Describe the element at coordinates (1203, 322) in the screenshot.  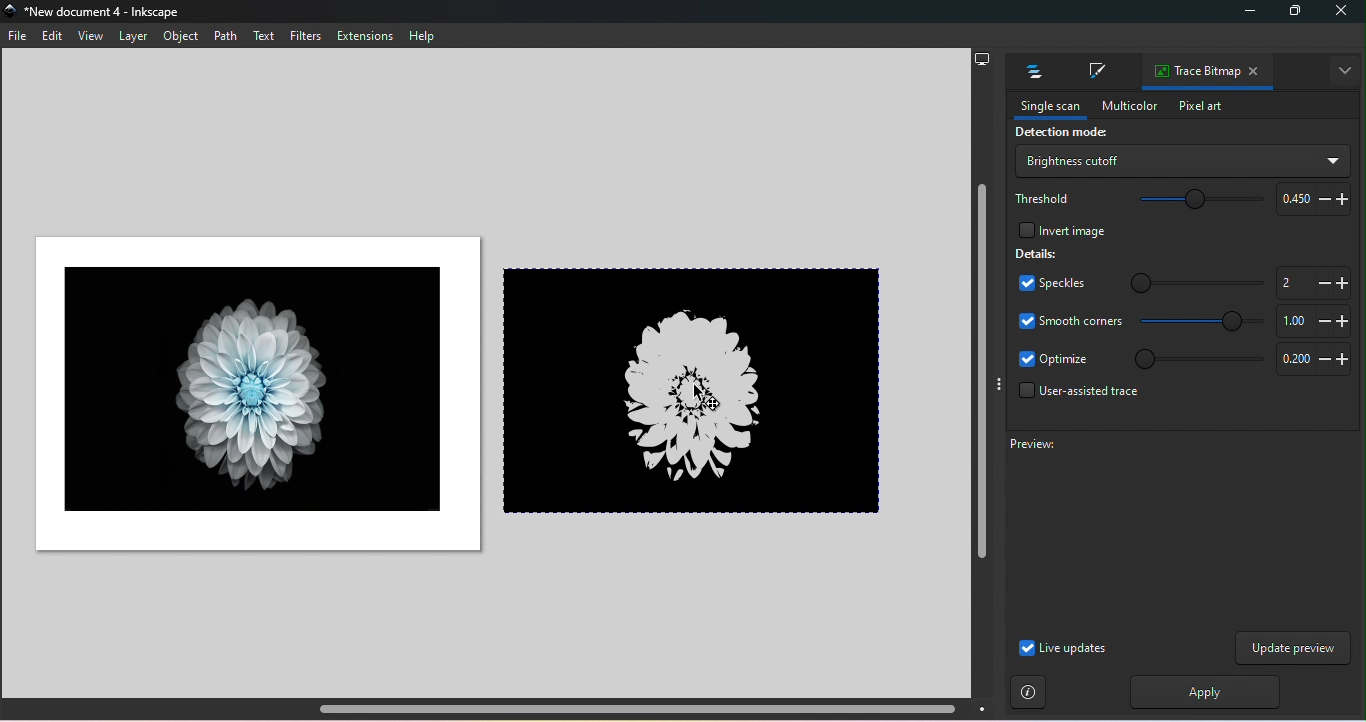
I see `Smooth corners slide bar` at that location.